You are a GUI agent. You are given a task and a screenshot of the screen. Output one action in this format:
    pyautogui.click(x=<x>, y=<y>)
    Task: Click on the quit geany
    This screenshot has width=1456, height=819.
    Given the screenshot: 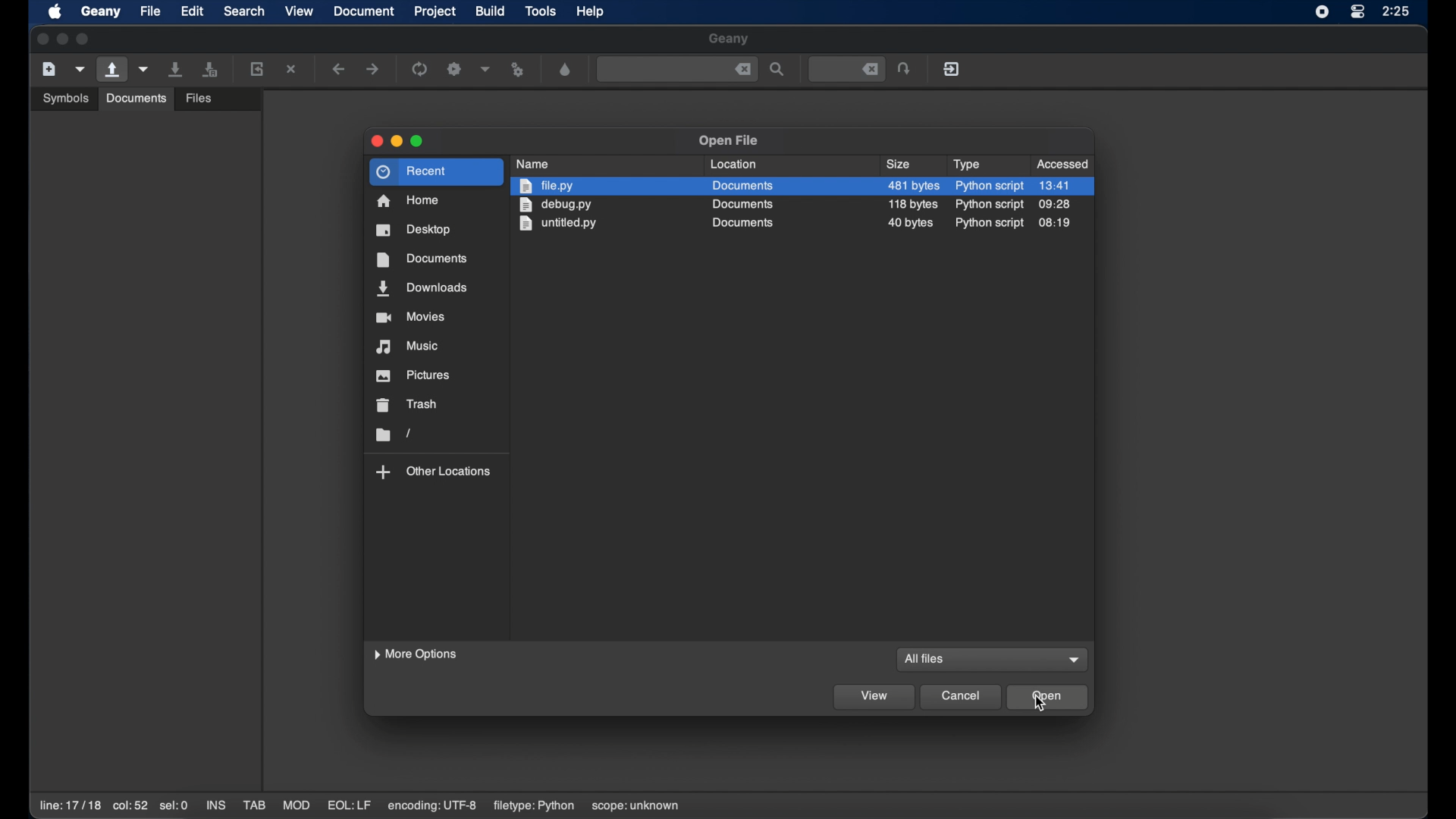 What is the action you would take?
    pyautogui.click(x=952, y=69)
    